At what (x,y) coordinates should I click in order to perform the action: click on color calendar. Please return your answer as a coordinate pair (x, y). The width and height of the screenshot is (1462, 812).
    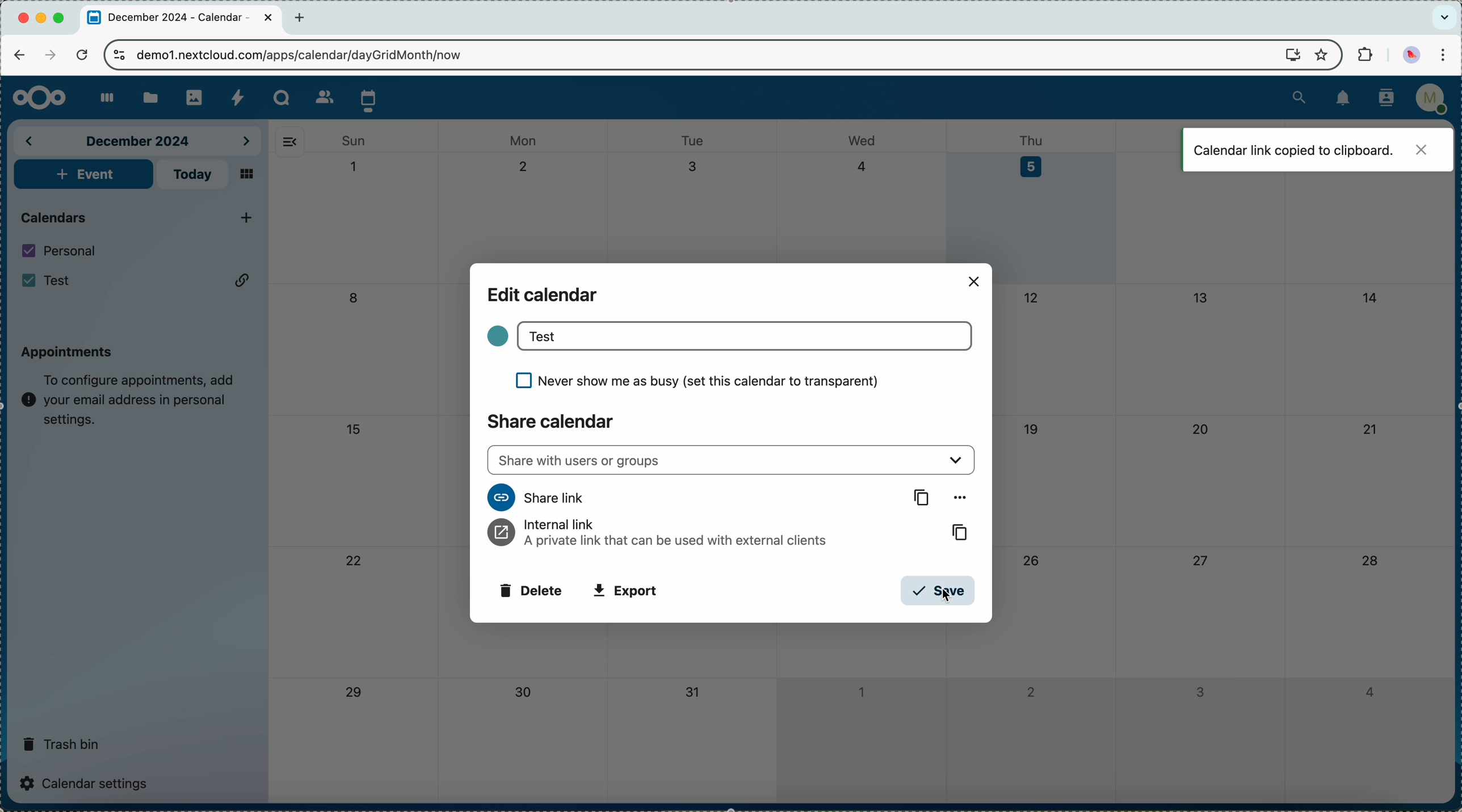
    Looking at the image, I should click on (495, 336).